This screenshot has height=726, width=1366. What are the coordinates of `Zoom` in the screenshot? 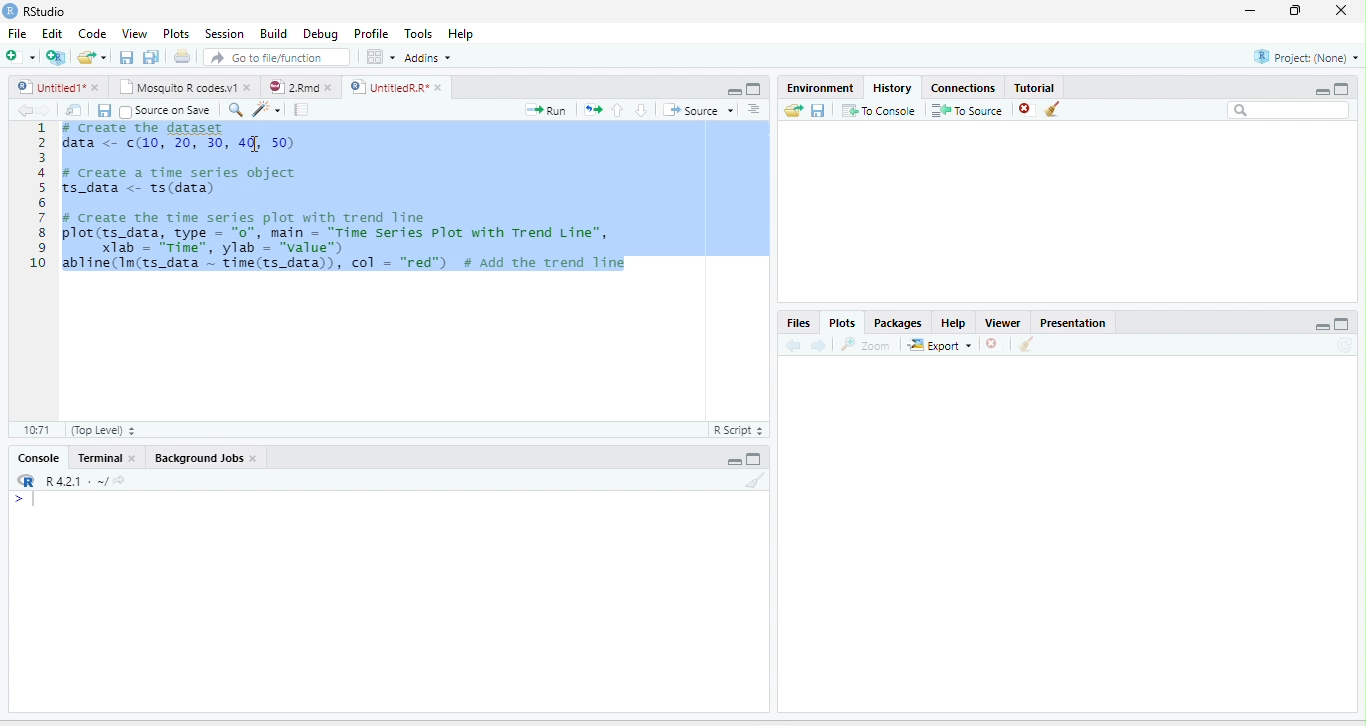 It's located at (867, 344).